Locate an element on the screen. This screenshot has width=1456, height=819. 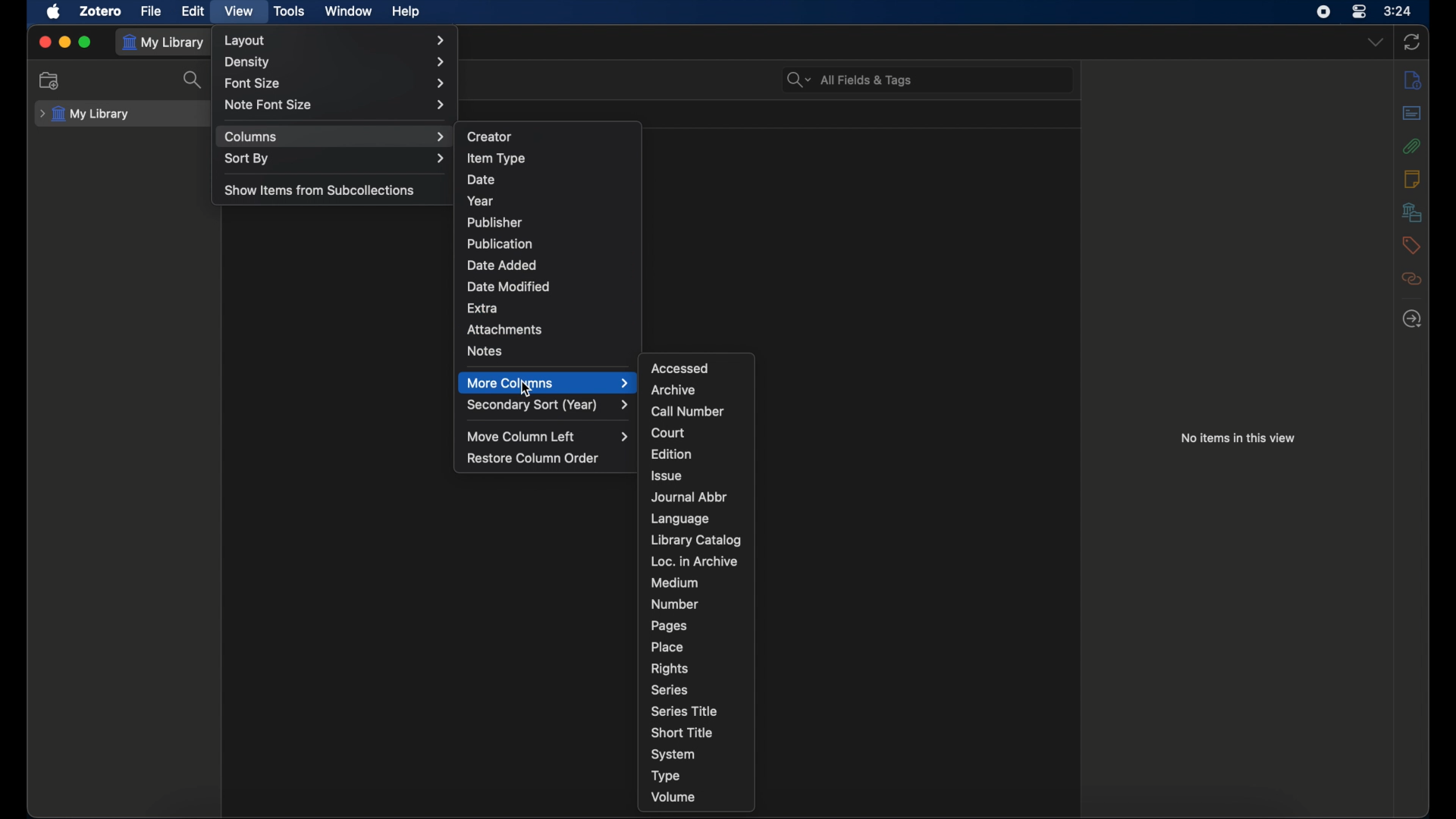
secondary sort is located at coordinates (550, 407).